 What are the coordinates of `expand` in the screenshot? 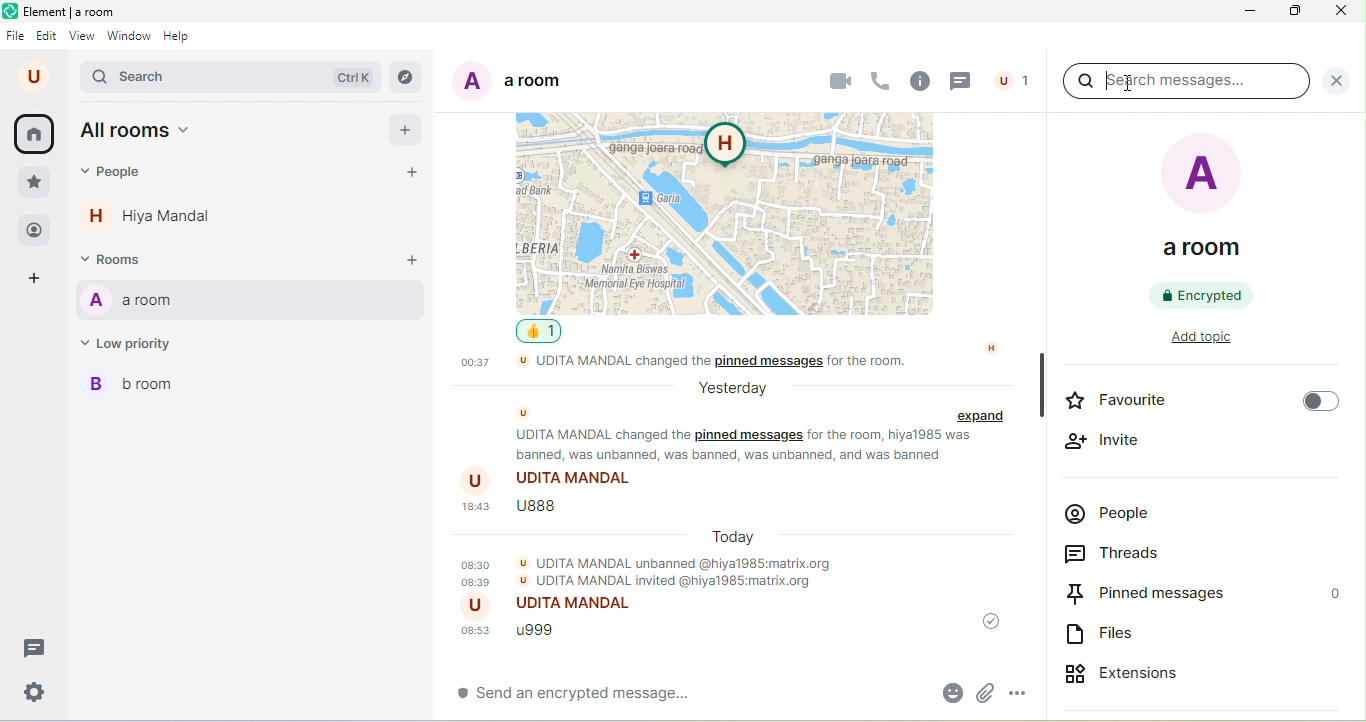 It's located at (984, 417).